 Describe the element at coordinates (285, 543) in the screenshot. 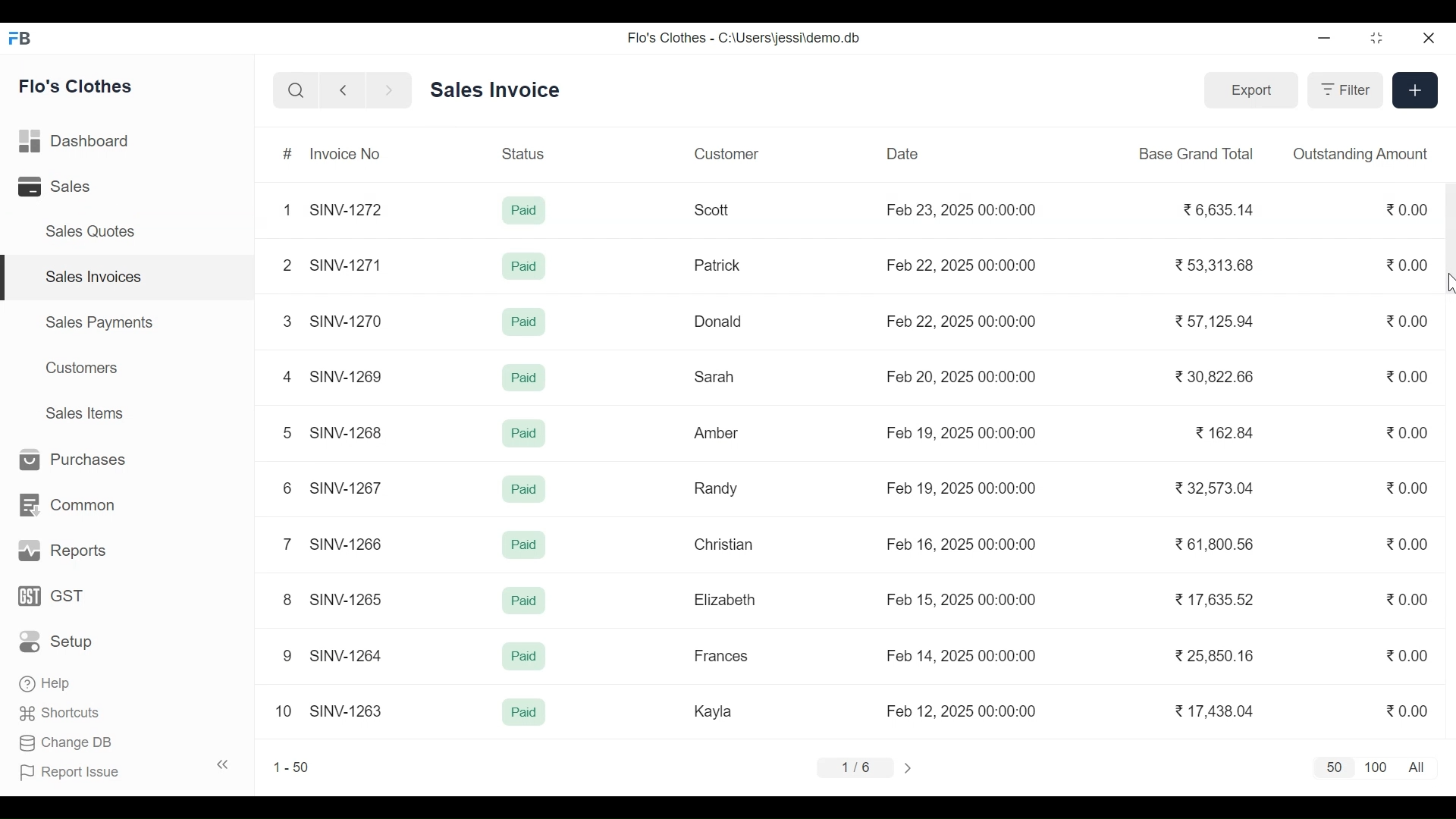

I see `7` at that location.